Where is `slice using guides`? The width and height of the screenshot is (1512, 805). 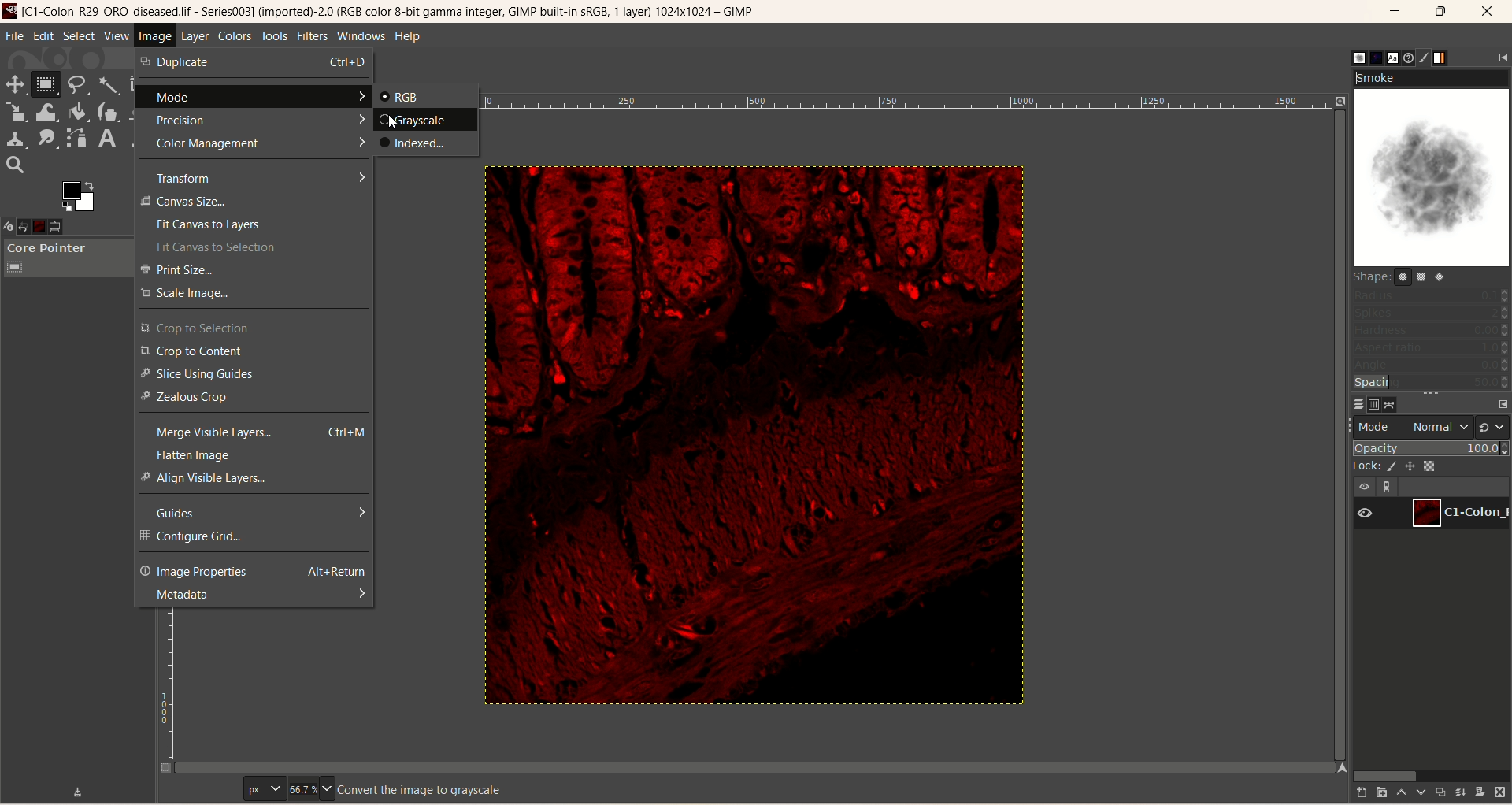 slice using guides is located at coordinates (253, 374).